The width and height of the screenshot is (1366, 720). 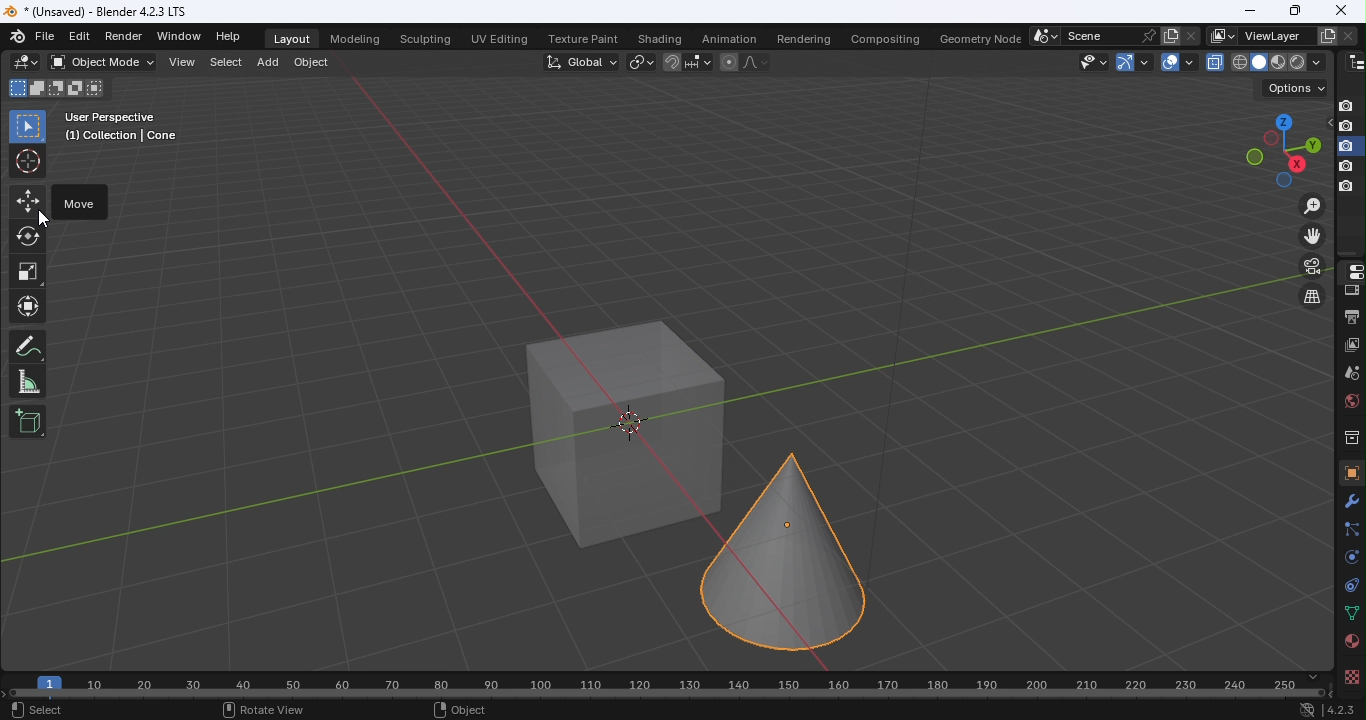 What do you see at coordinates (1356, 60) in the screenshot?
I see `Editor type` at bounding box center [1356, 60].